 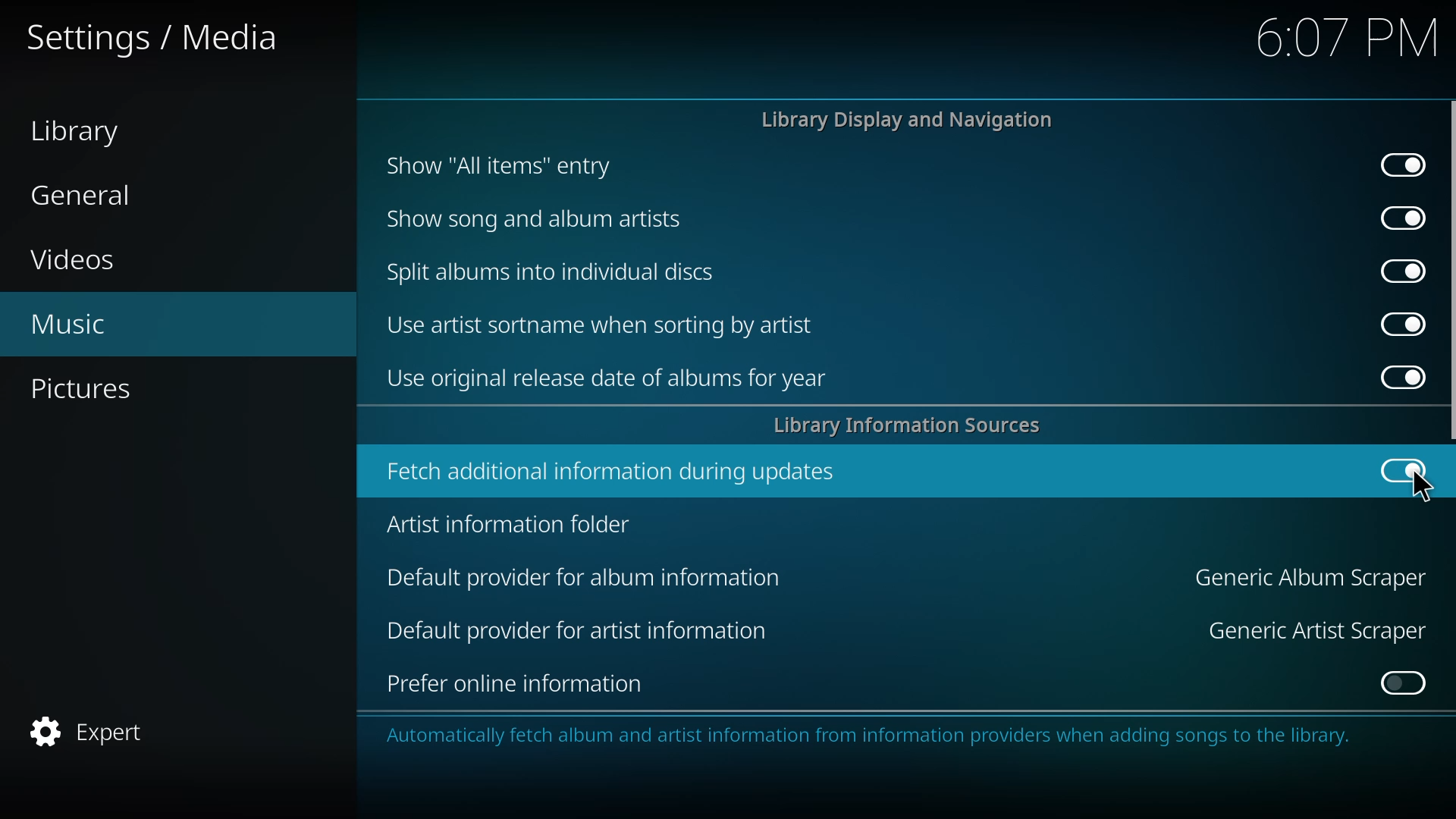 What do you see at coordinates (1406, 162) in the screenshot?
I see `enabled` at bounding box center [1406, 162].